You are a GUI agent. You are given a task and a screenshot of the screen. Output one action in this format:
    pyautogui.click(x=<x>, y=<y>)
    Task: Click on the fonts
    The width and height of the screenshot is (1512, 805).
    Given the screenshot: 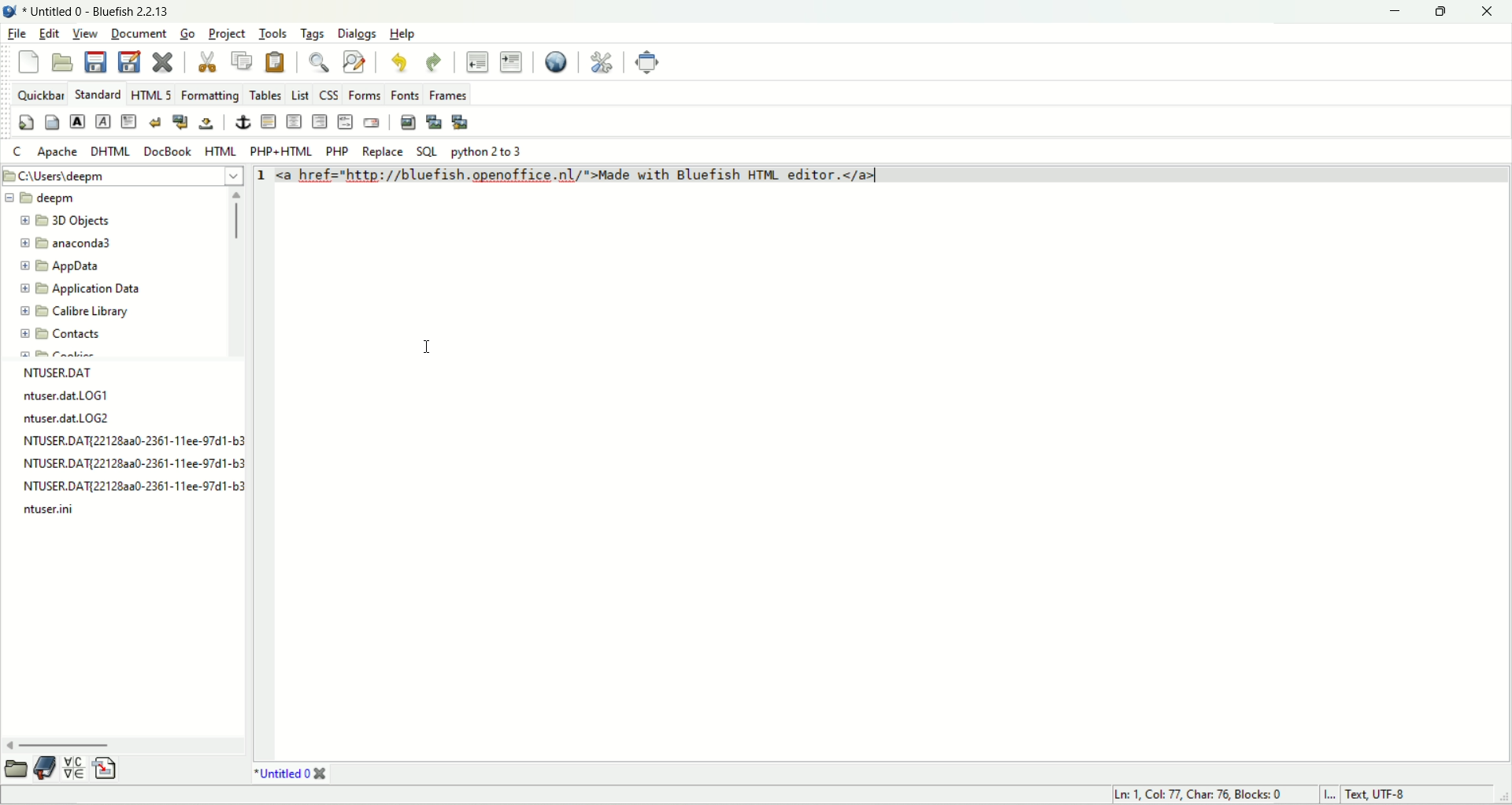 What is the action you would take?
    pyautogui.click(x=404, y=92)
    